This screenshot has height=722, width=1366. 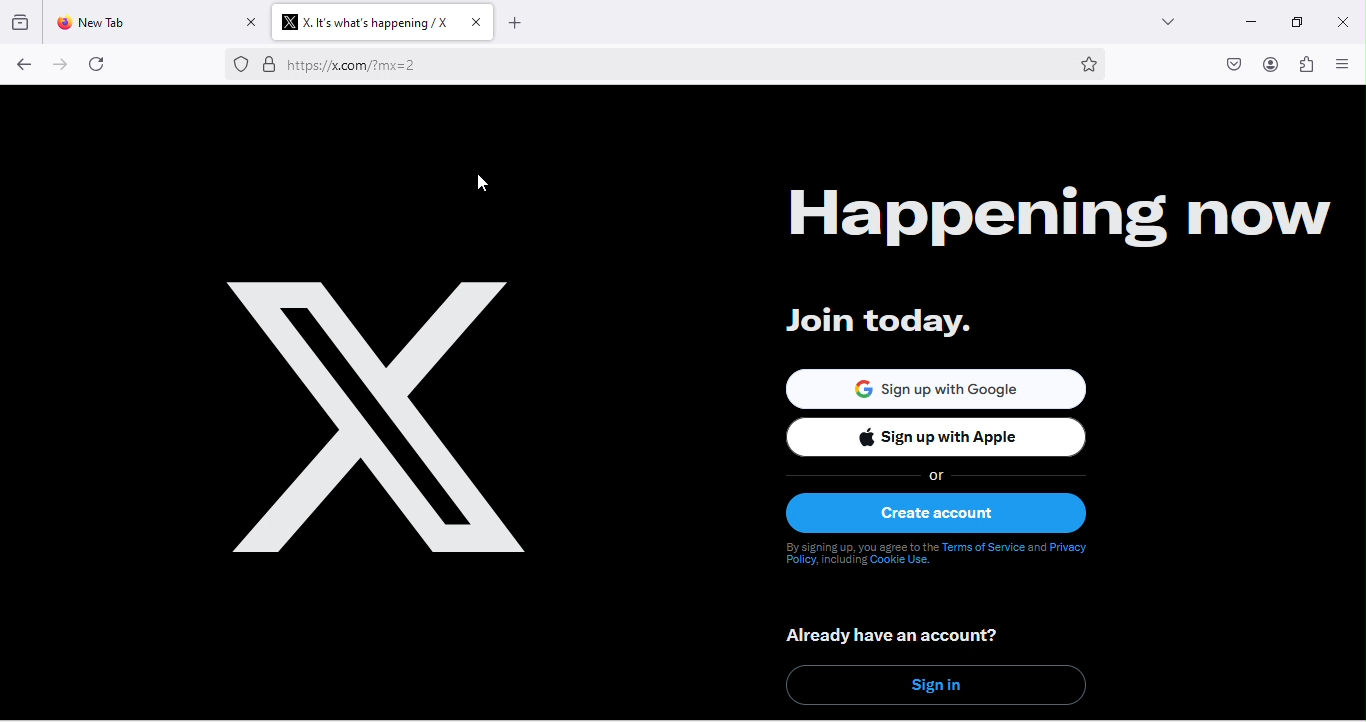 What do you see at coordinates (477, 182) in the screenshot?
I see `cursor` at bounding box center [477, 182].